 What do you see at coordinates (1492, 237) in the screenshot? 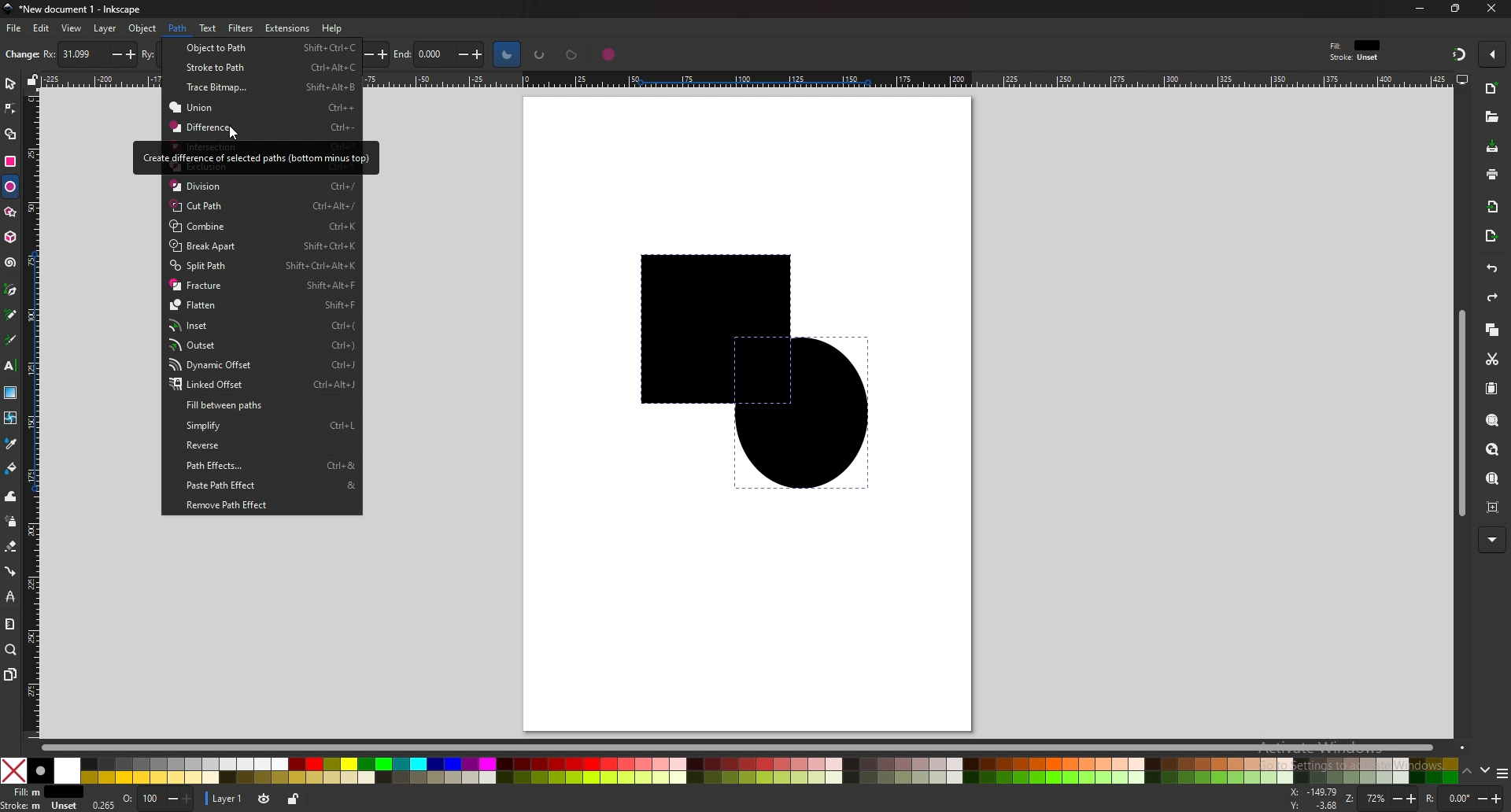
I see `export` at bounding box center [1492, 237].